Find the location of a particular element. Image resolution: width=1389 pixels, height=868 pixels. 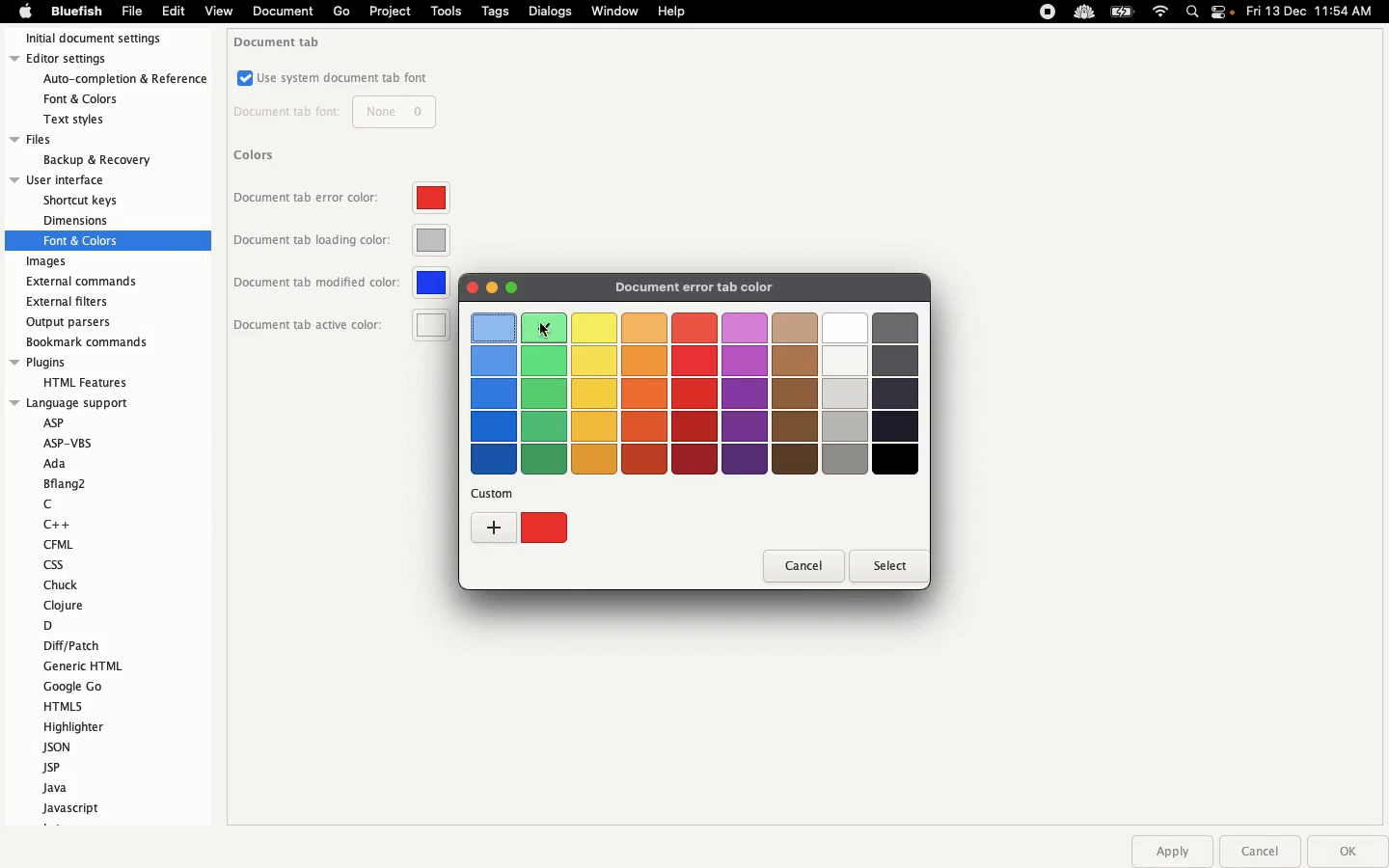

User interface  is located at coordinates (75, 179).